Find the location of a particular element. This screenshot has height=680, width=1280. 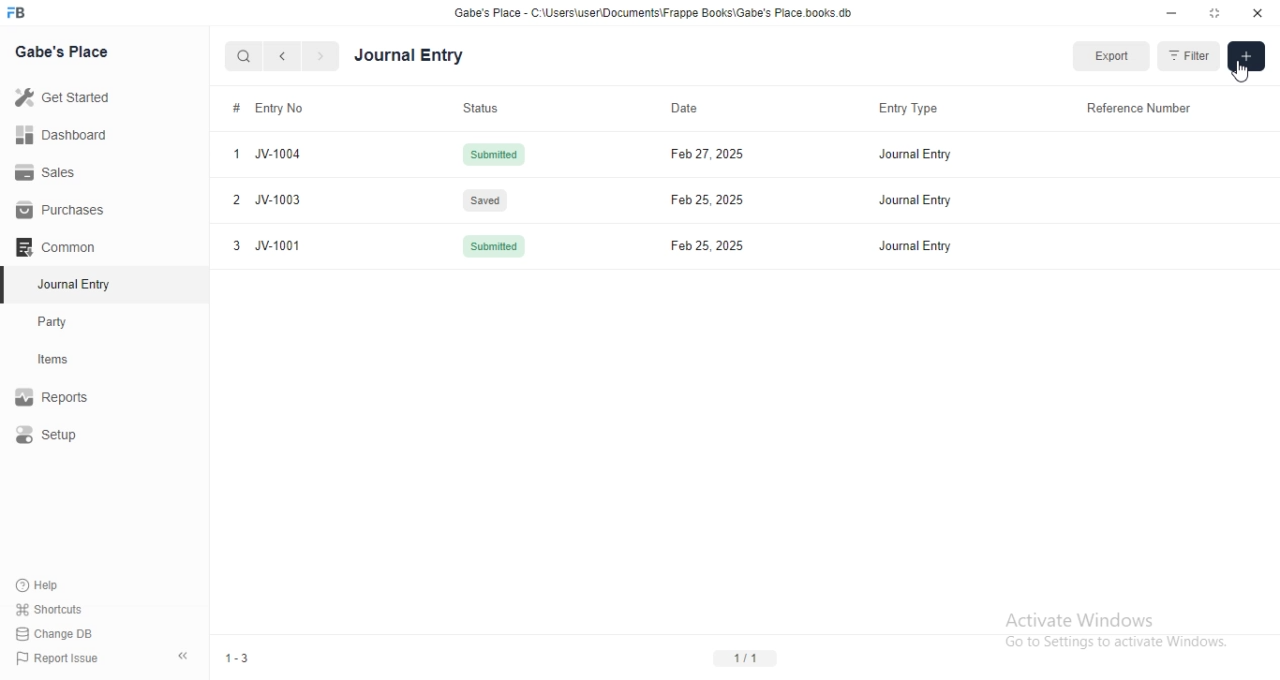

Gabe's Place - C\Users\userDocuments Frappe Books\Gabe's Place books db. is located at coordinates (654, 13).